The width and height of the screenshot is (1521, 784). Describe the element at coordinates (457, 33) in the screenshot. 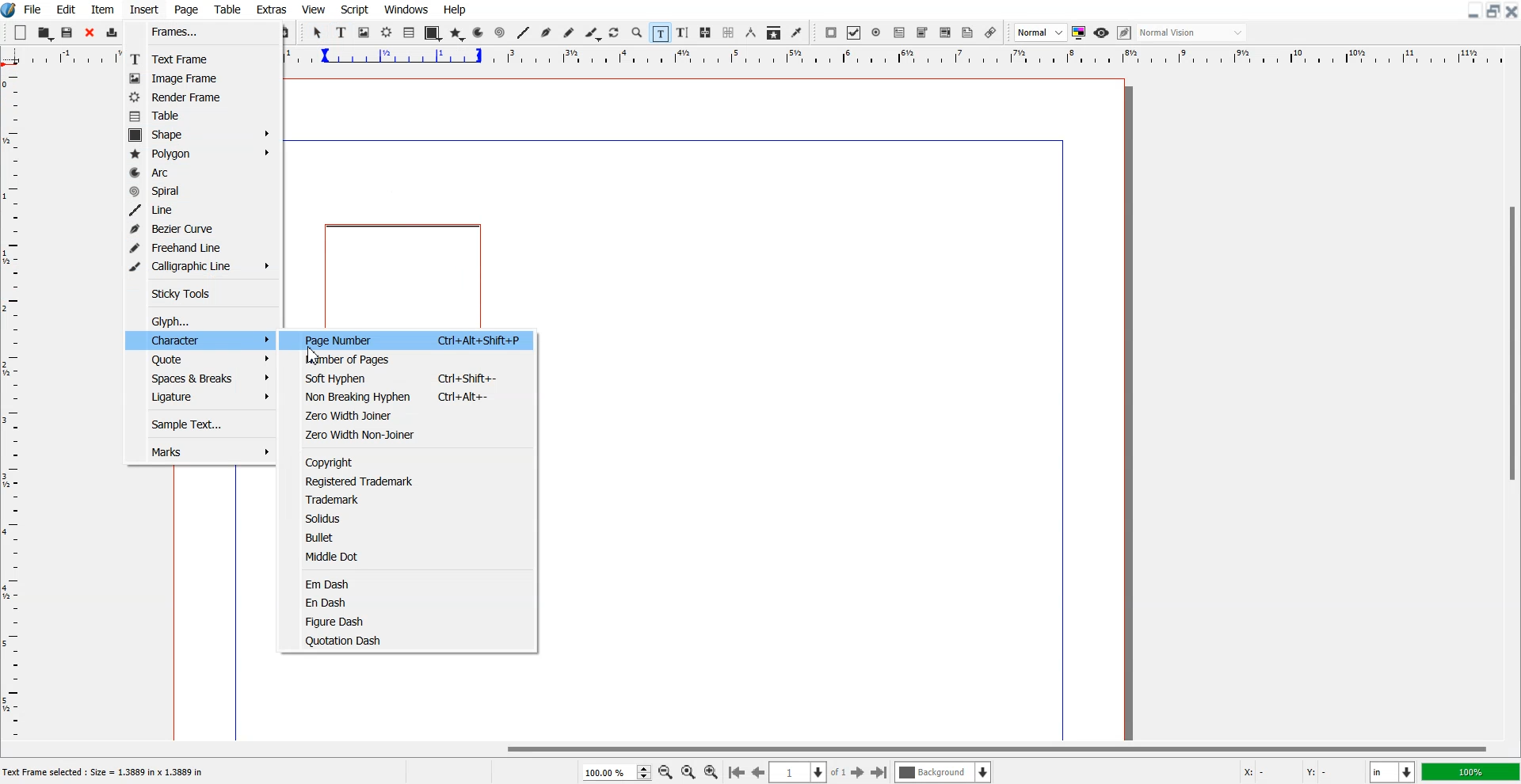

I see `Polygon` at that location.